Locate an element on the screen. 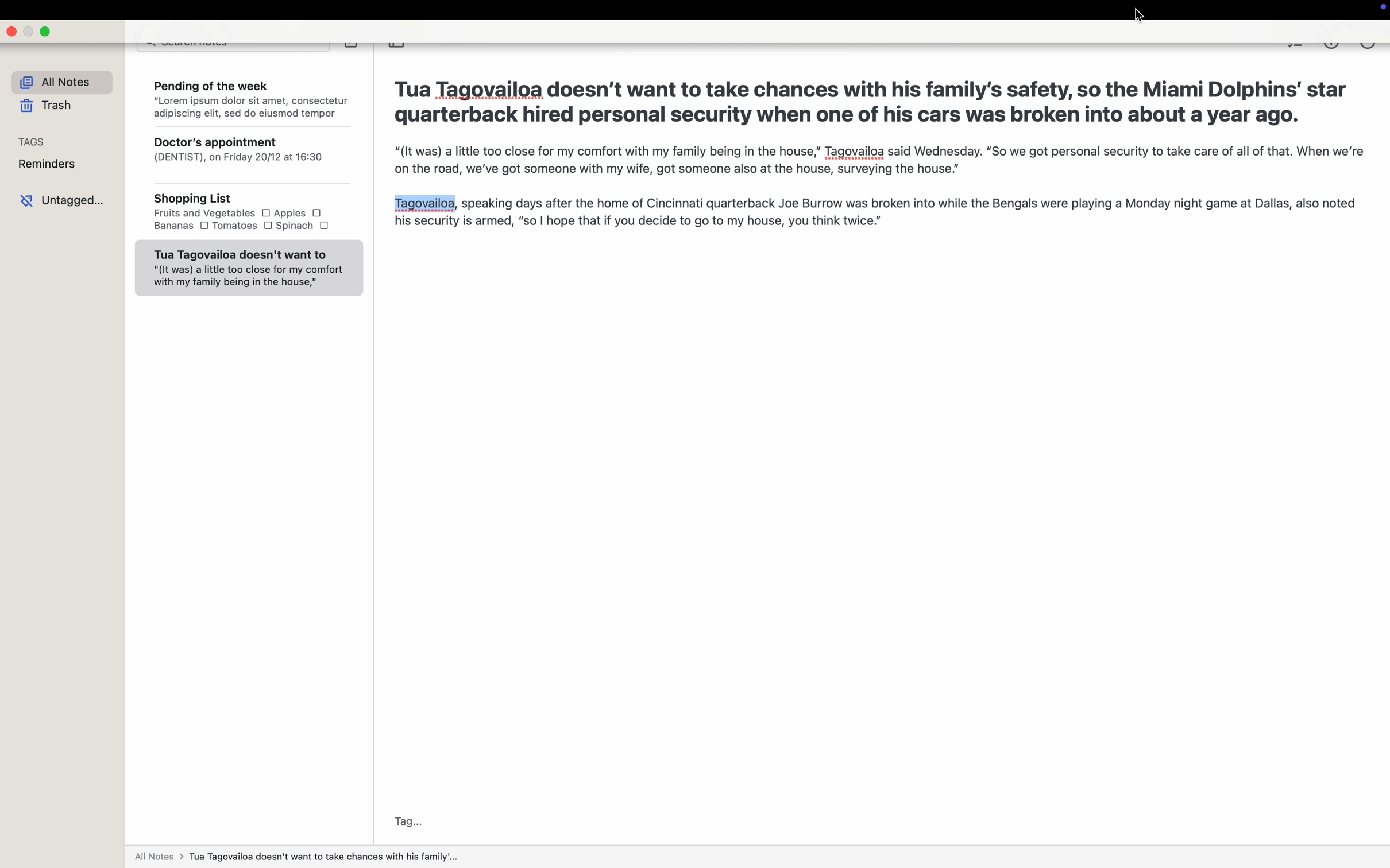 The height and width of the screenshot is (868, 1390). Tua Tagovailoa doesn't want to
"(It was) a little too close for my comfort
with my family being in the house," is located at coordinates (248, 268).